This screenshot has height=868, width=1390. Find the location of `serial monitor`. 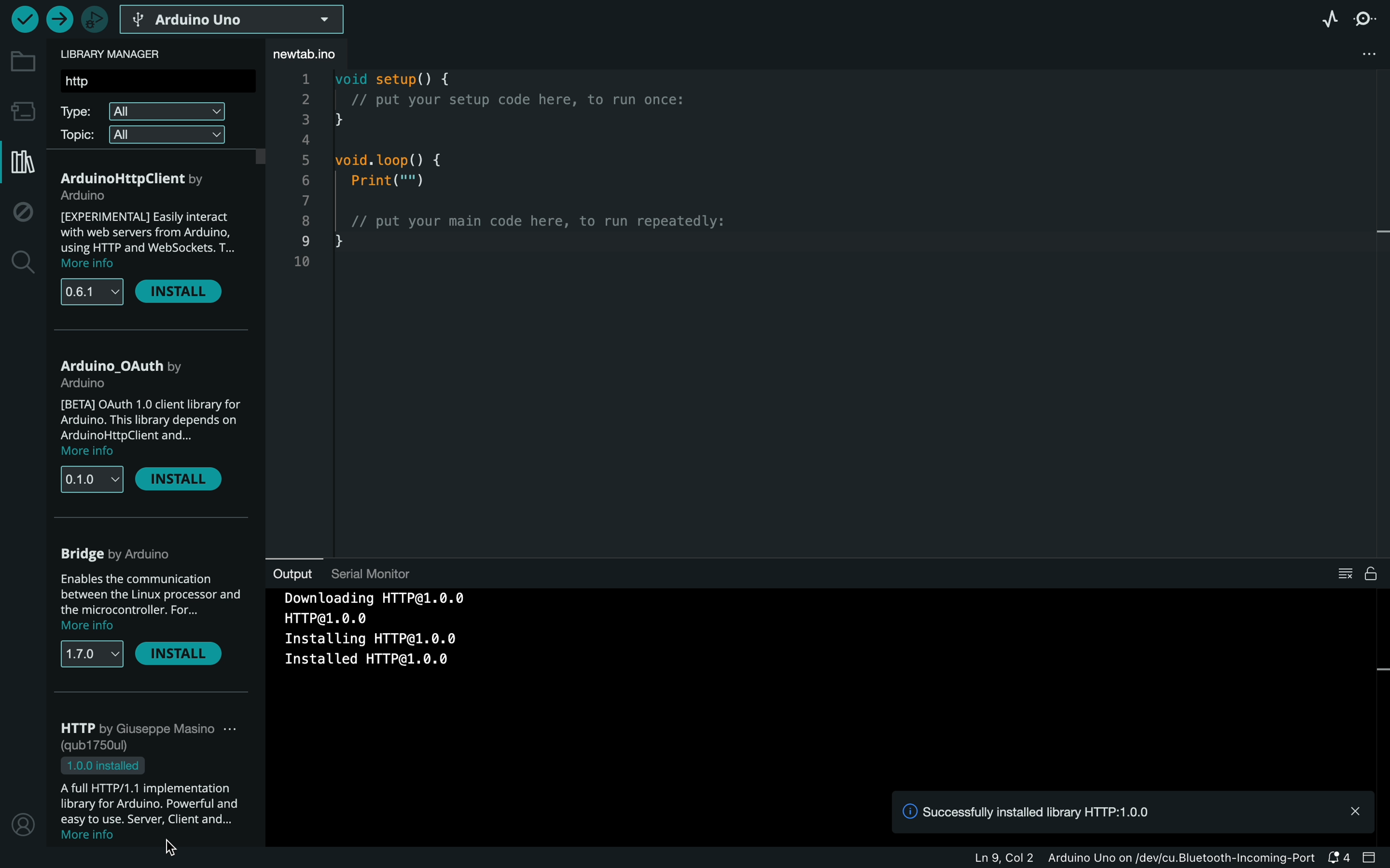

serial monitor is located at coordinates (1368, 18).